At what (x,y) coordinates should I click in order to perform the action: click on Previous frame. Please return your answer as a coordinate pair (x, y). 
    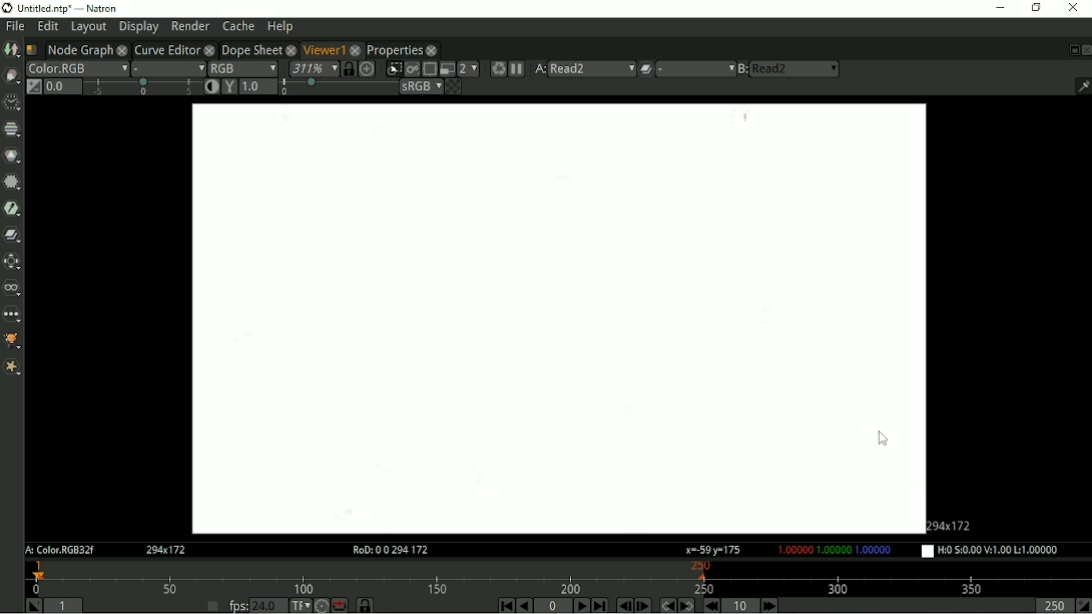
    Looking at the image, I should click on (623, 606).